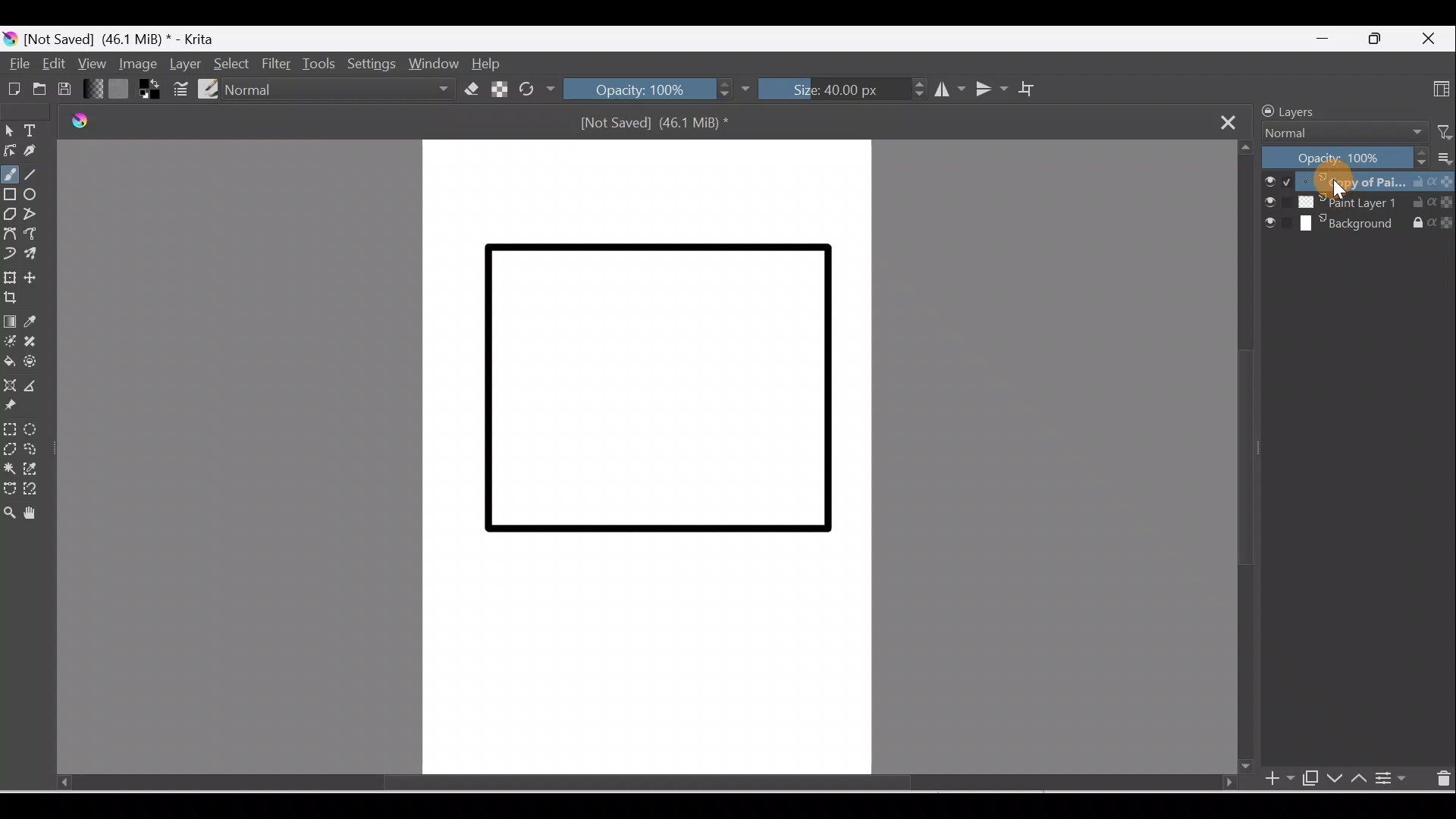 This screenshot has width=1456, height=819. I want to click on Select shapes tool, so click(12, 130).